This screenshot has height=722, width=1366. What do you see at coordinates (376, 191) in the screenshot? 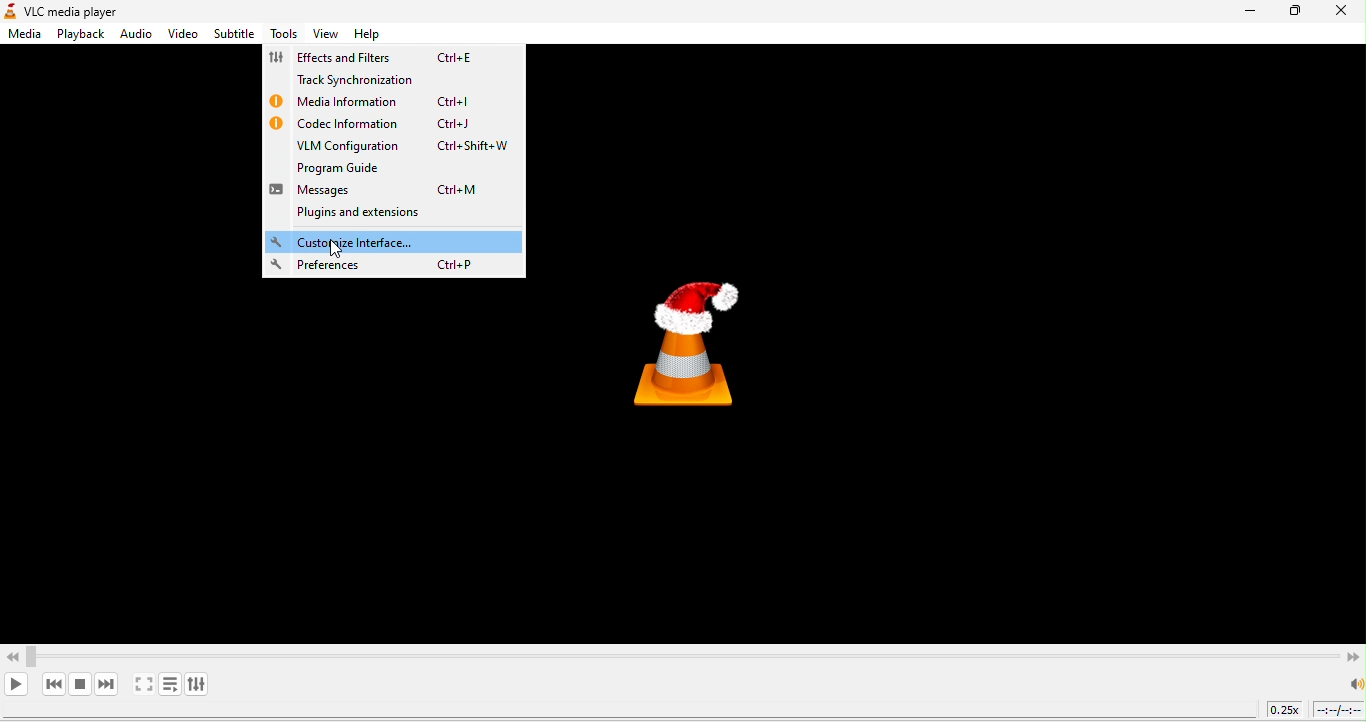
I see `messages` at bounding box center [376, 191].